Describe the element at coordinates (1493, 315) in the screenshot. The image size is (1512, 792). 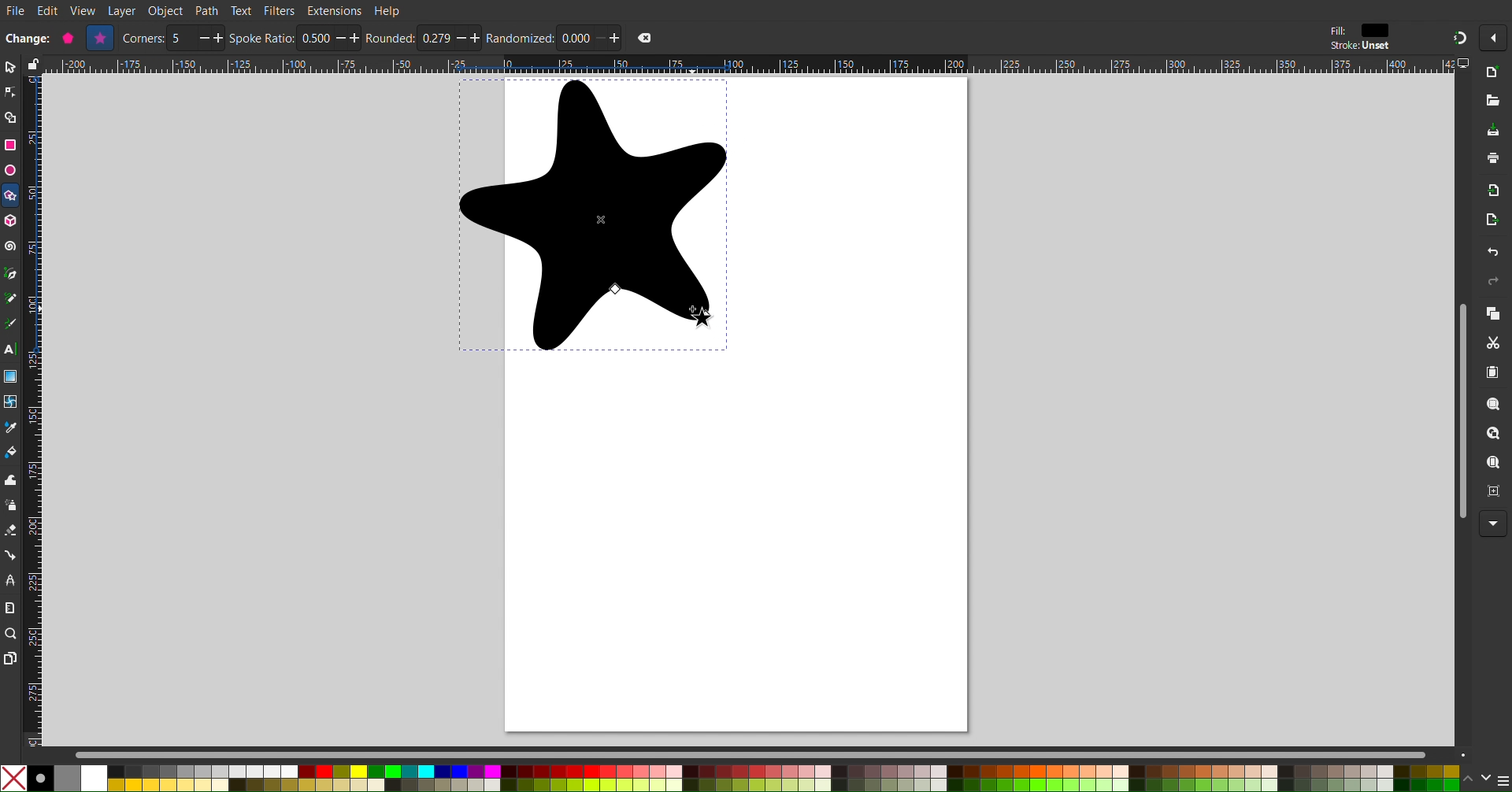
I see `Copy` at that location.